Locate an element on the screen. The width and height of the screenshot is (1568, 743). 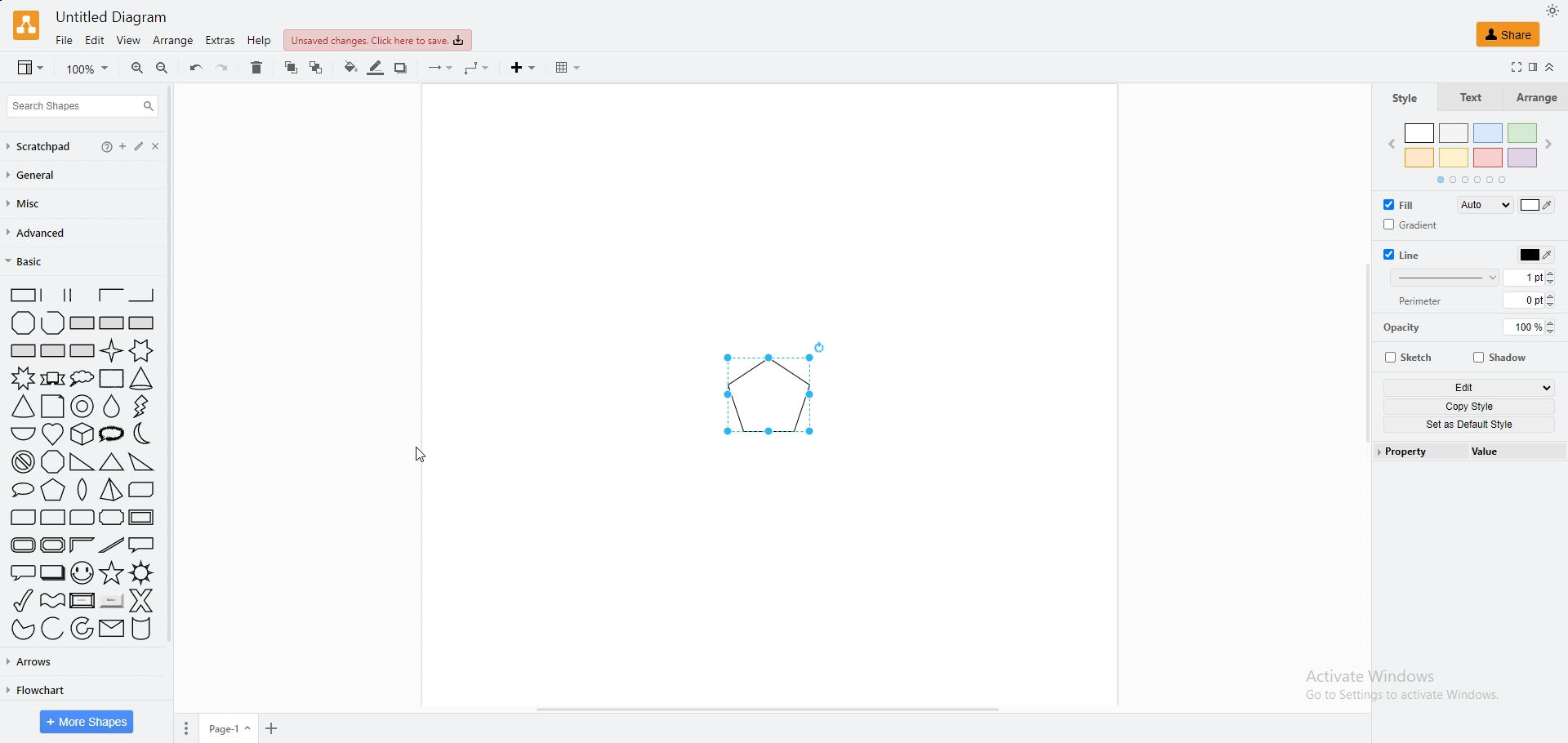
cloud rectangle is located at coordinates (109, 379).